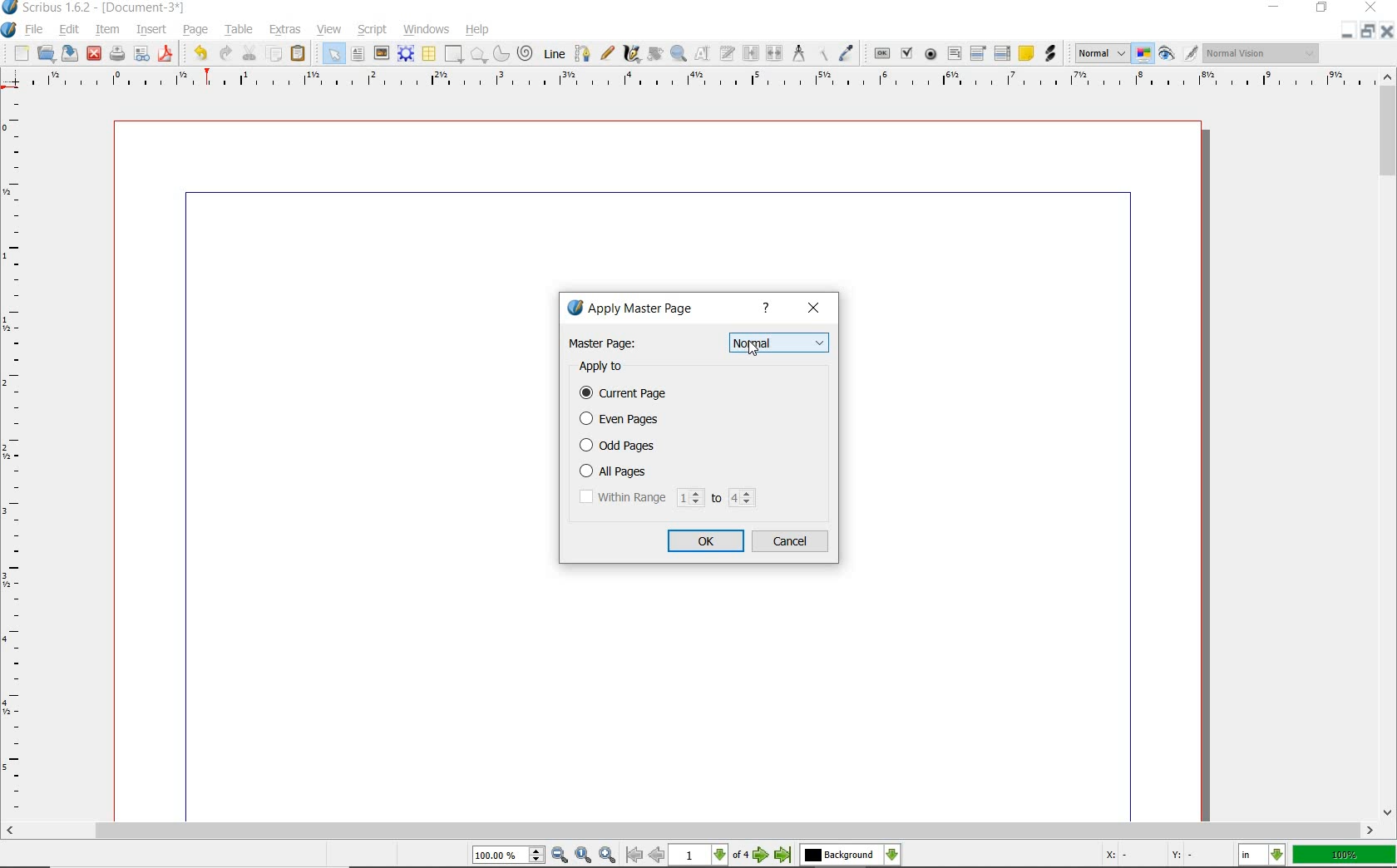 The width and height of the screenshot is (1397, 868). What do you see at coordinates (979, 52) in the screenshot?
I see `pdf combo box` at bounding box center [979, 52].